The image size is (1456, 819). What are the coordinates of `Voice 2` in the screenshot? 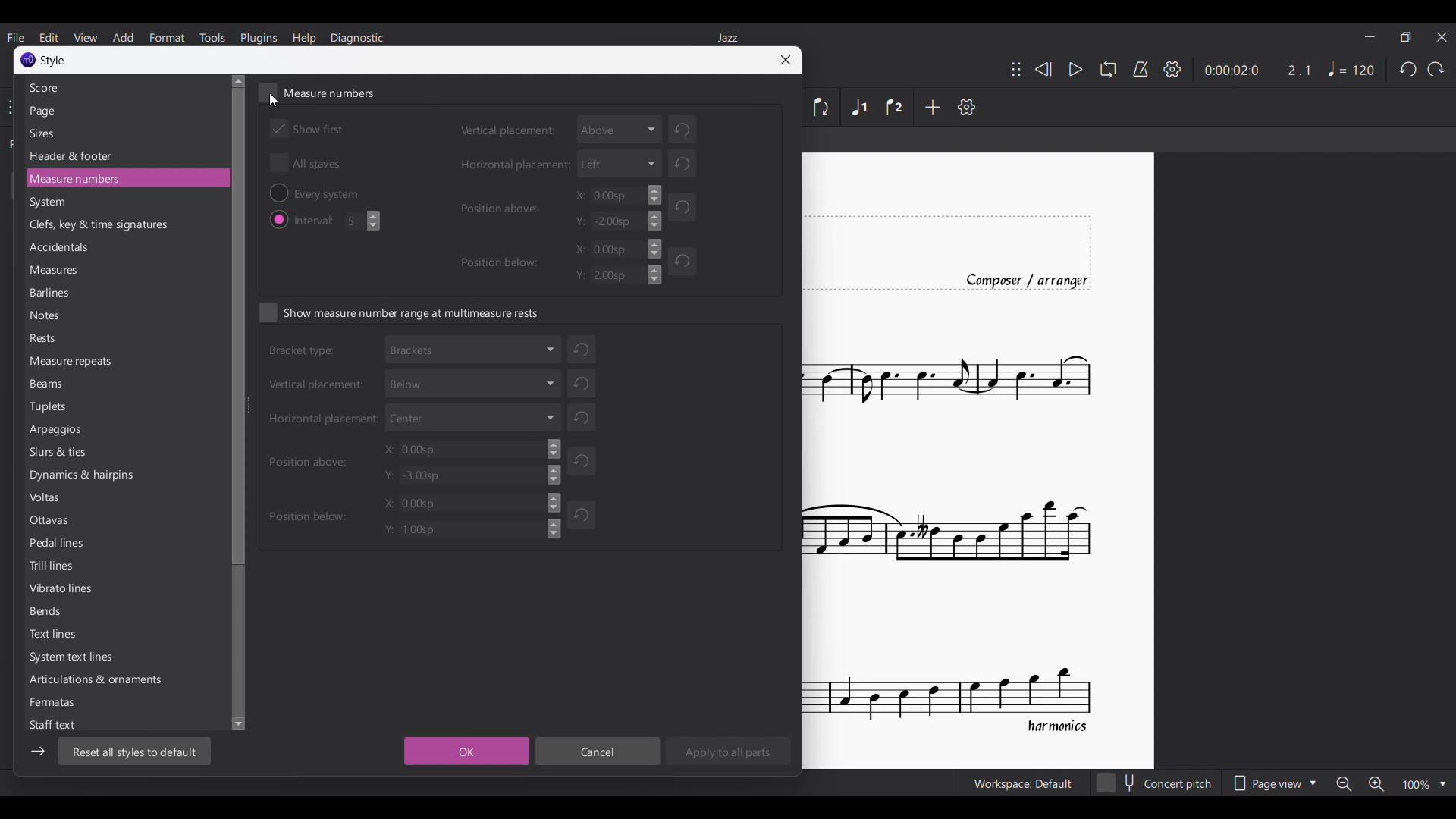 It's located at (894, 107).